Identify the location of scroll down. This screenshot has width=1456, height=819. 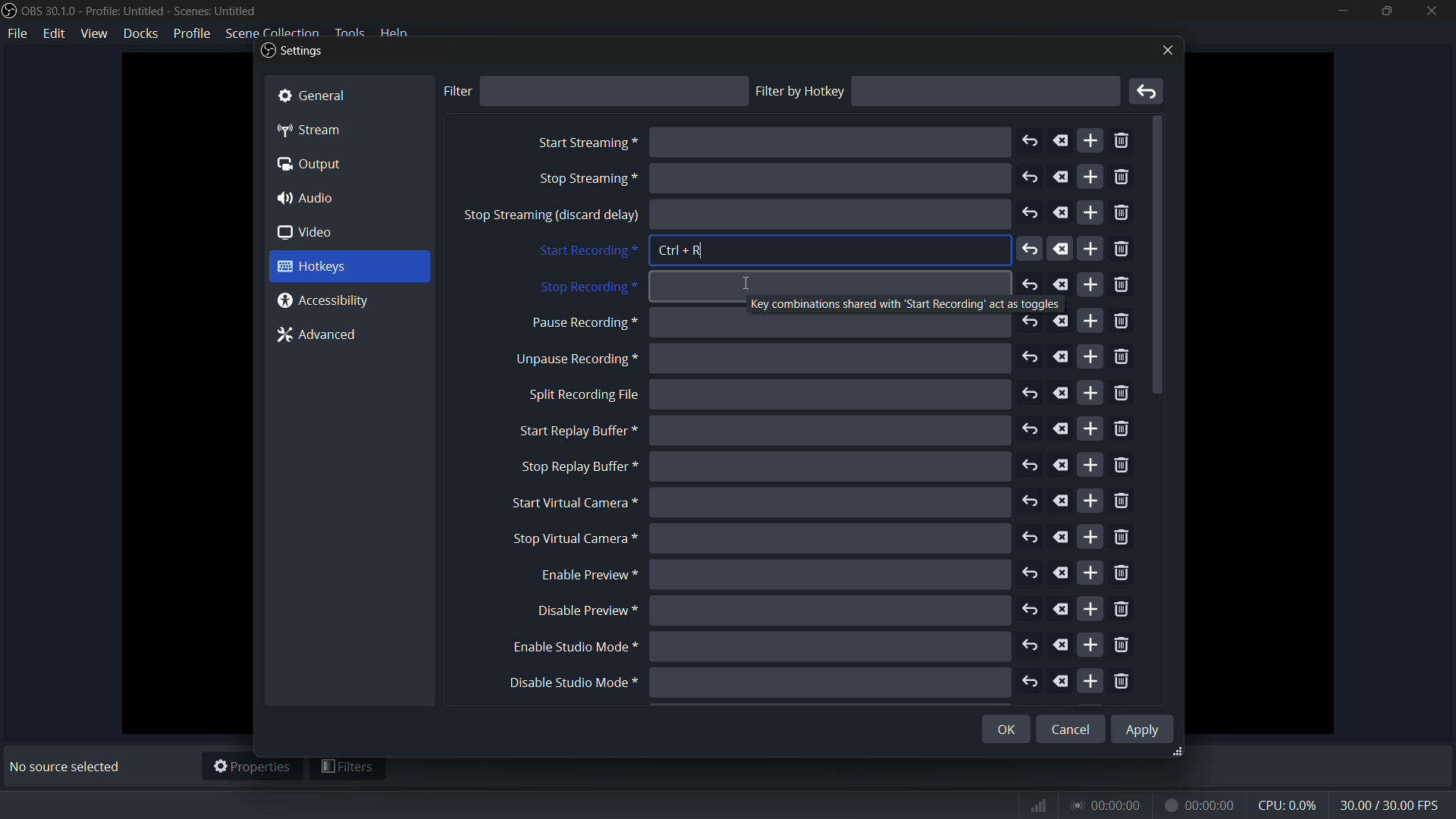
(1160, 257).